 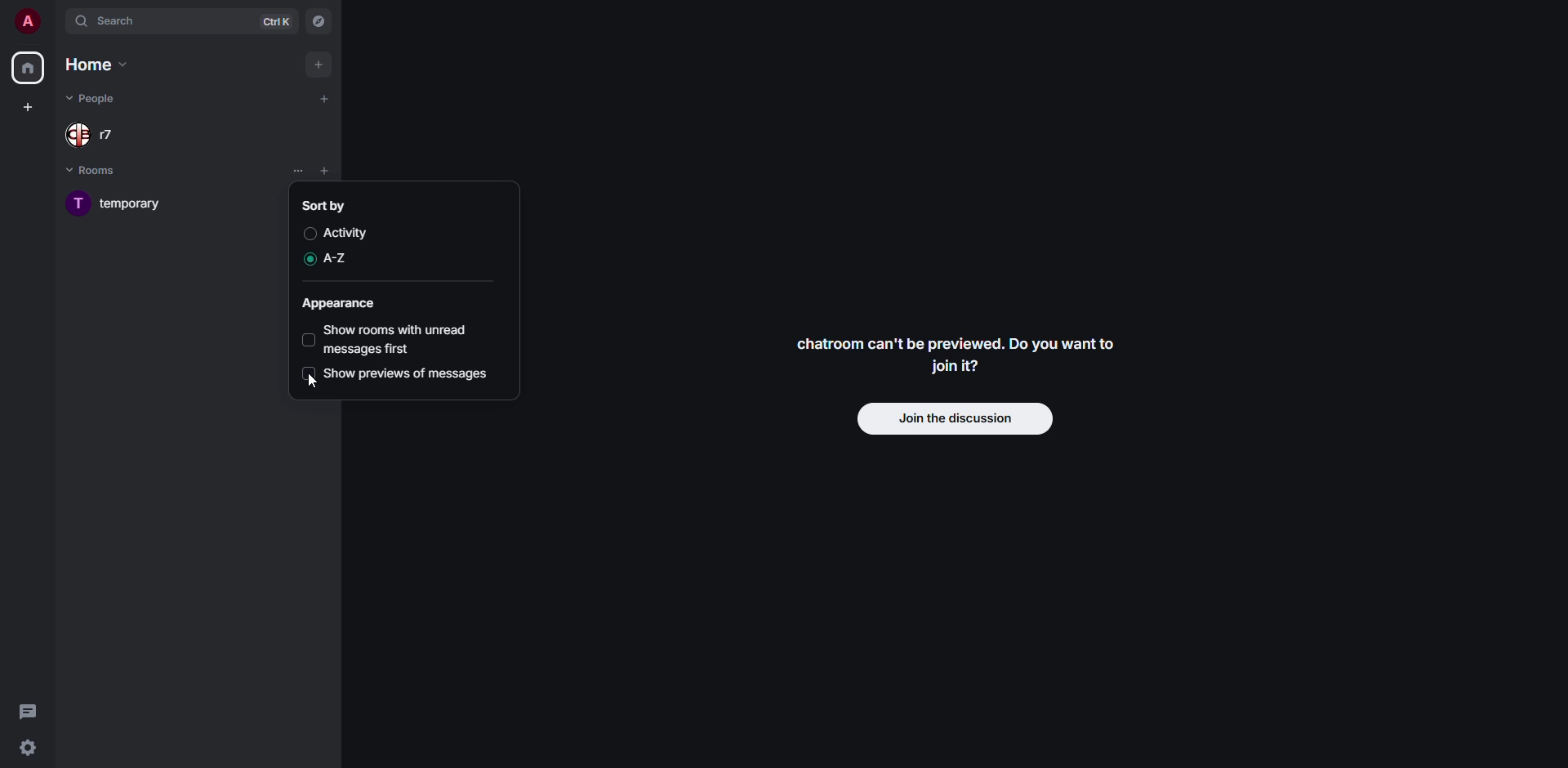 What do you see at coordinates (955, 356) in the screenshot?
I see `chatroom can't be previewed` at bounding box center [955, 356].